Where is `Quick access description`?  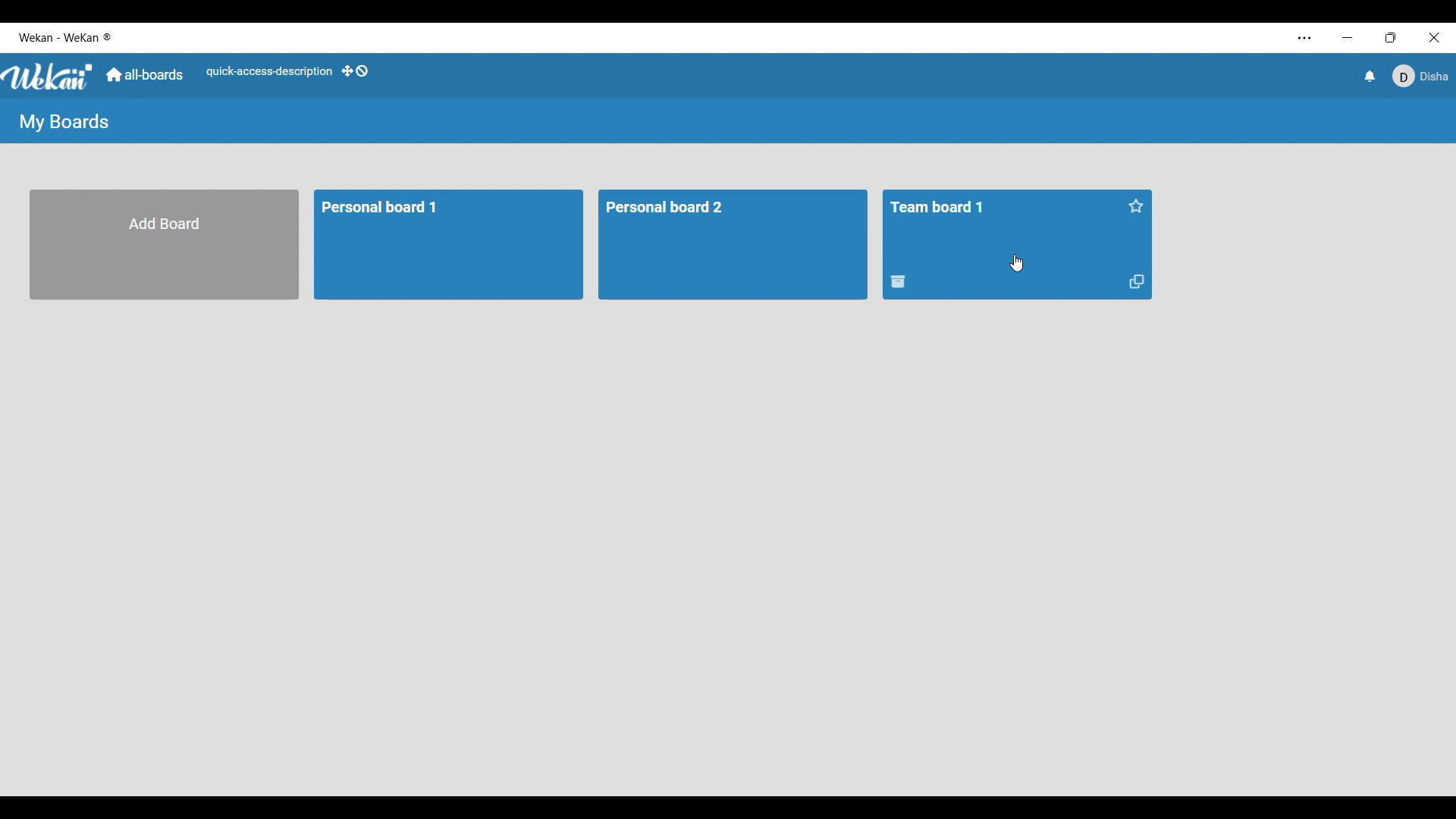 Quick access description is located at coordinates (269, 72).